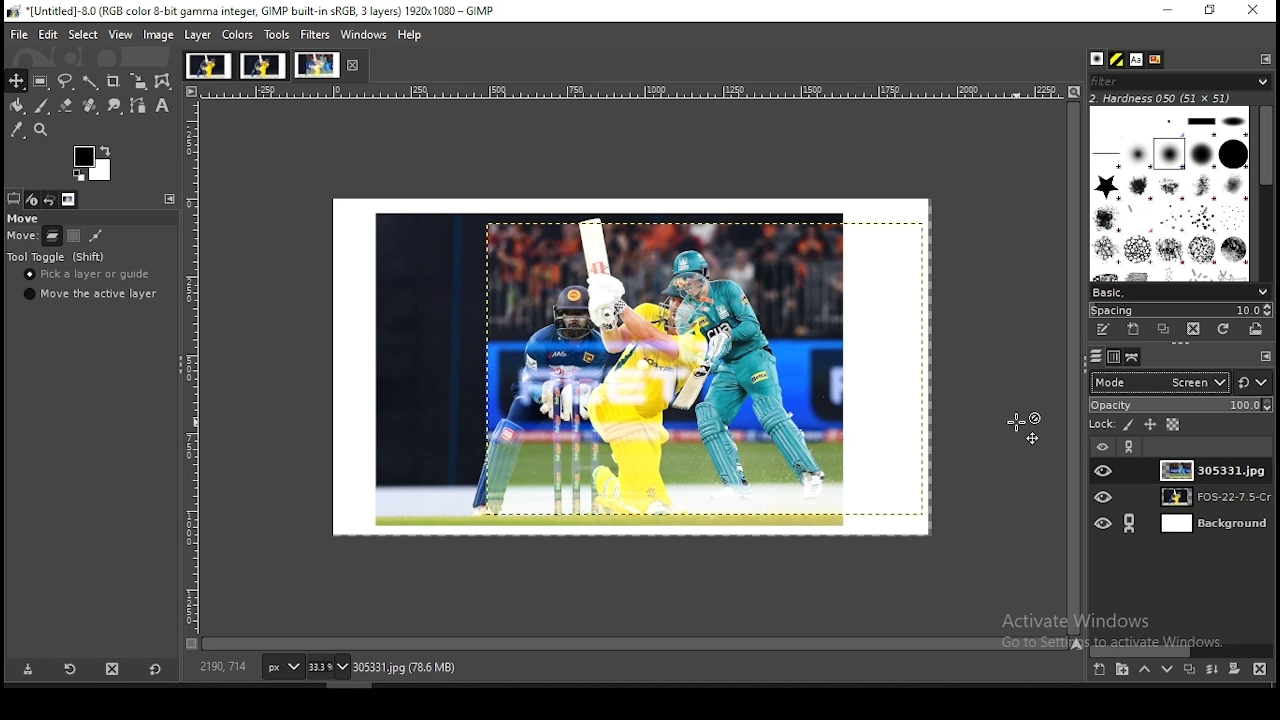  What do you see at coordinates (66, 104) in the screenshot?
I see `eraser tool` at bounding box center [66, 104].